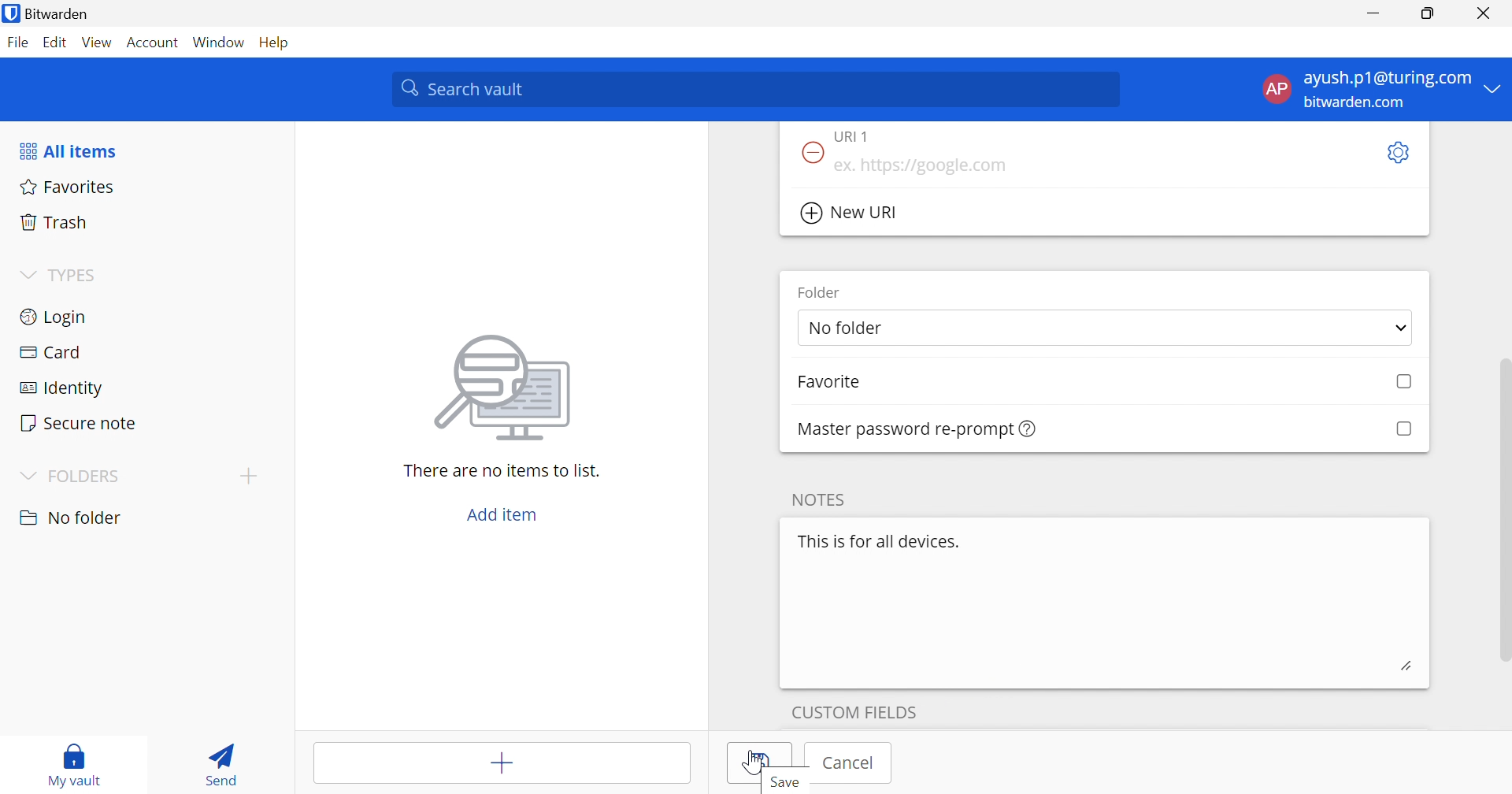  What do you see at coordinates (76, 278) in the screenshot?
I see `TYPES` at bounding box center [76, 278].